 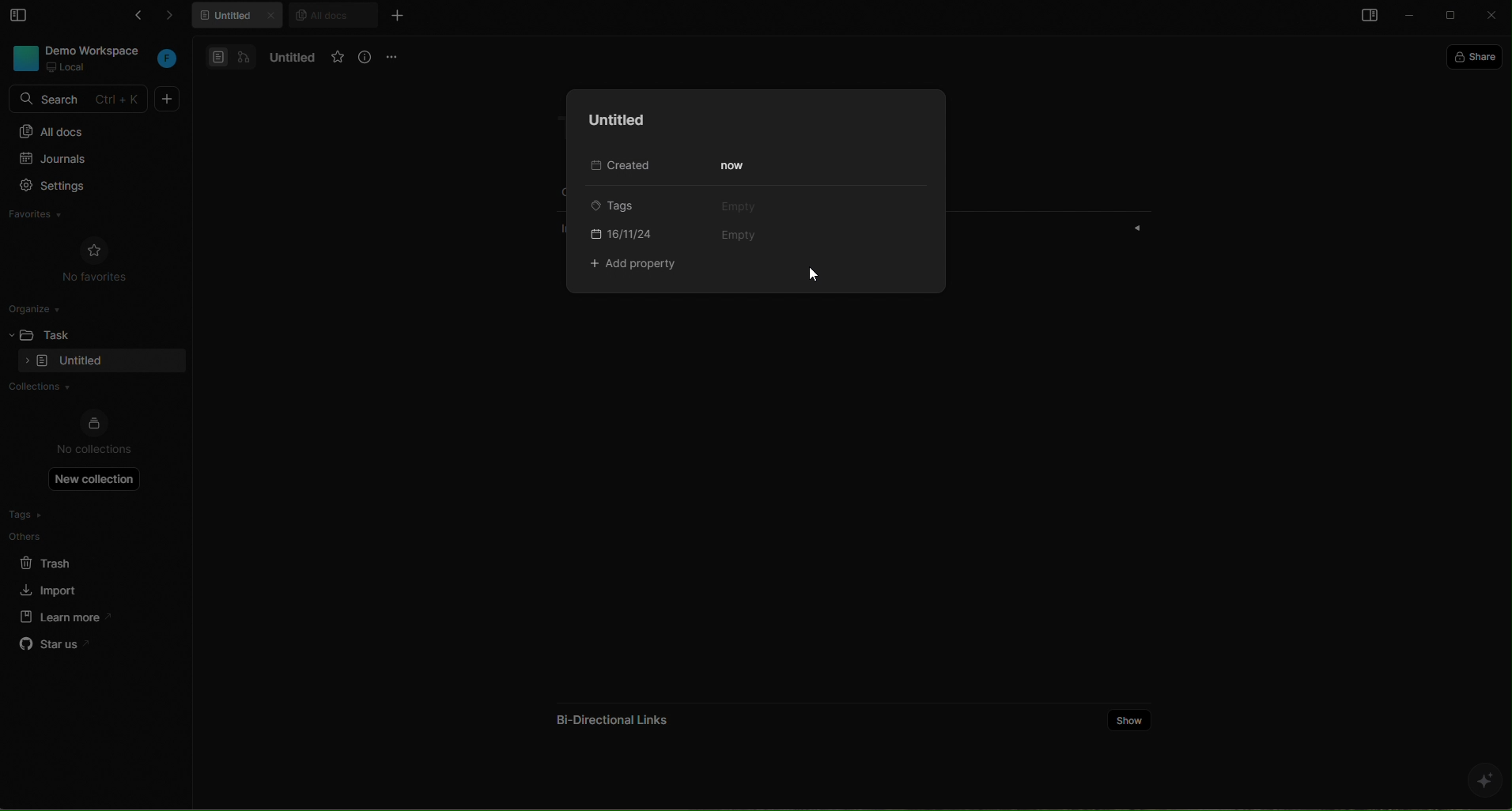 I want to click on task, so click(x=64, y=333).